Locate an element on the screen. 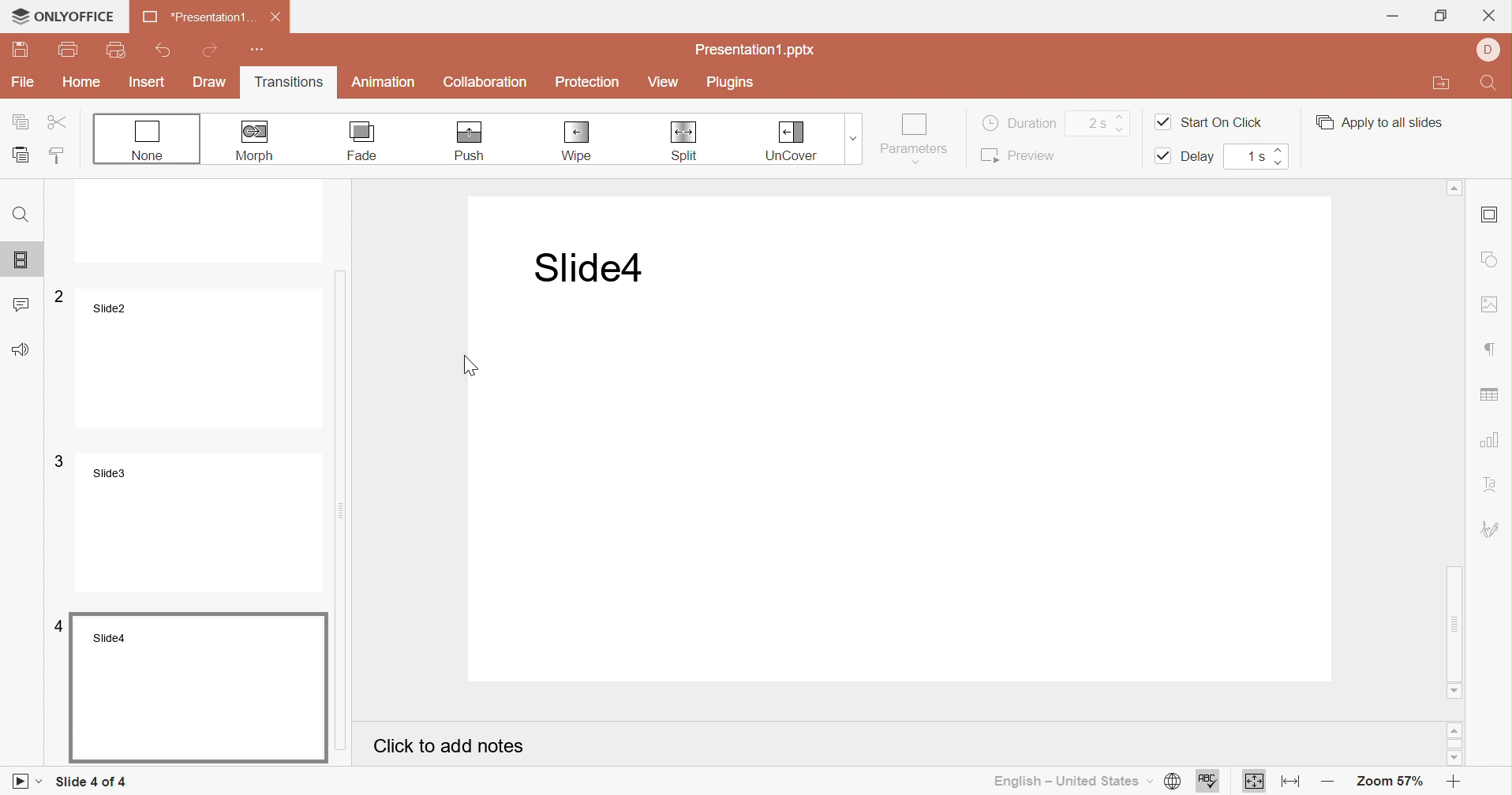 The image size is (1512, 795). Feedback & Support is located at coordinates (21, 349).